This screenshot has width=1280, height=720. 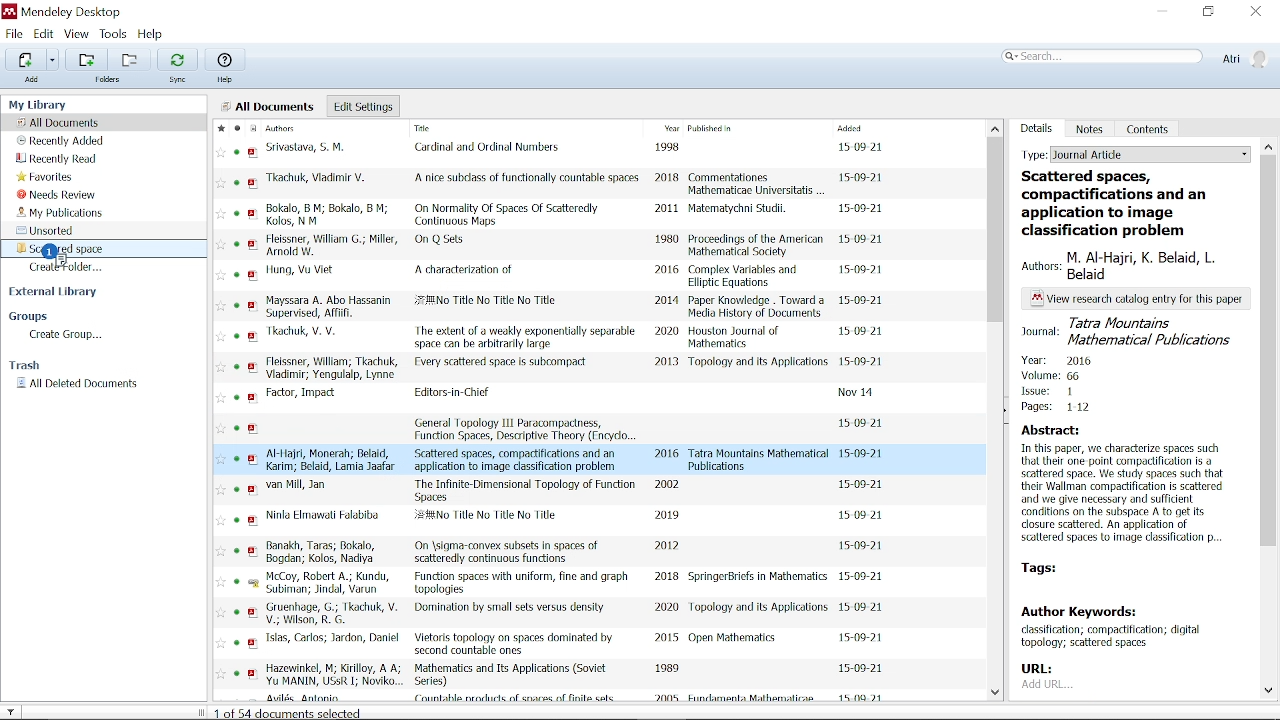 What do you see at coordinates (666, 332) in the screenshot?
I see `2020` at bounding box center [666, 332].